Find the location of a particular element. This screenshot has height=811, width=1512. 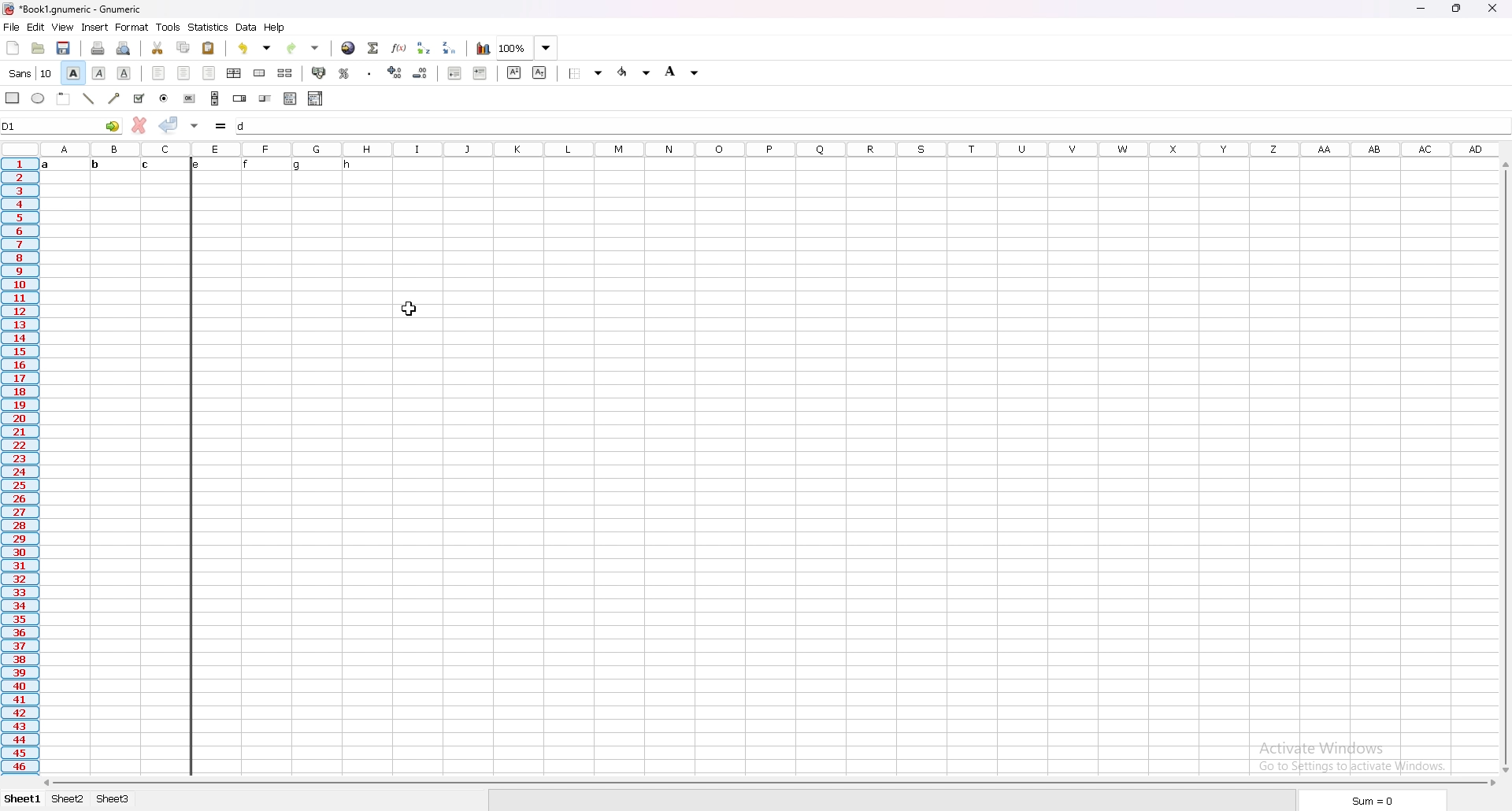

background is located at coordinates (684, 72).